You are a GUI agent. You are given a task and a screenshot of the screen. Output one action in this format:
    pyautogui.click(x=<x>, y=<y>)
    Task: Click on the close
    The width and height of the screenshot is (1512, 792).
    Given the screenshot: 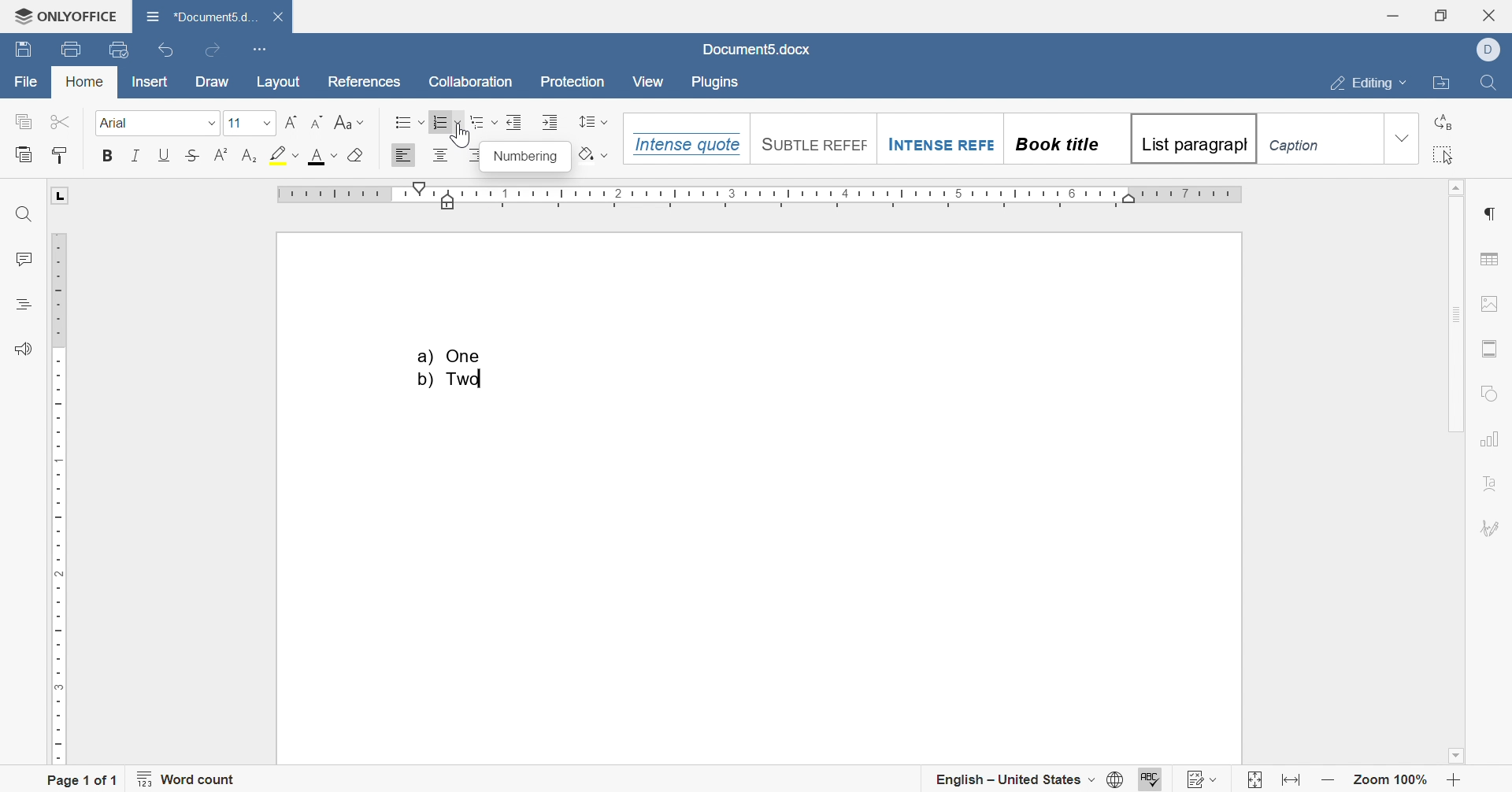 What is the action you would take?
    pyautogui.click(x=279, y=16)
    